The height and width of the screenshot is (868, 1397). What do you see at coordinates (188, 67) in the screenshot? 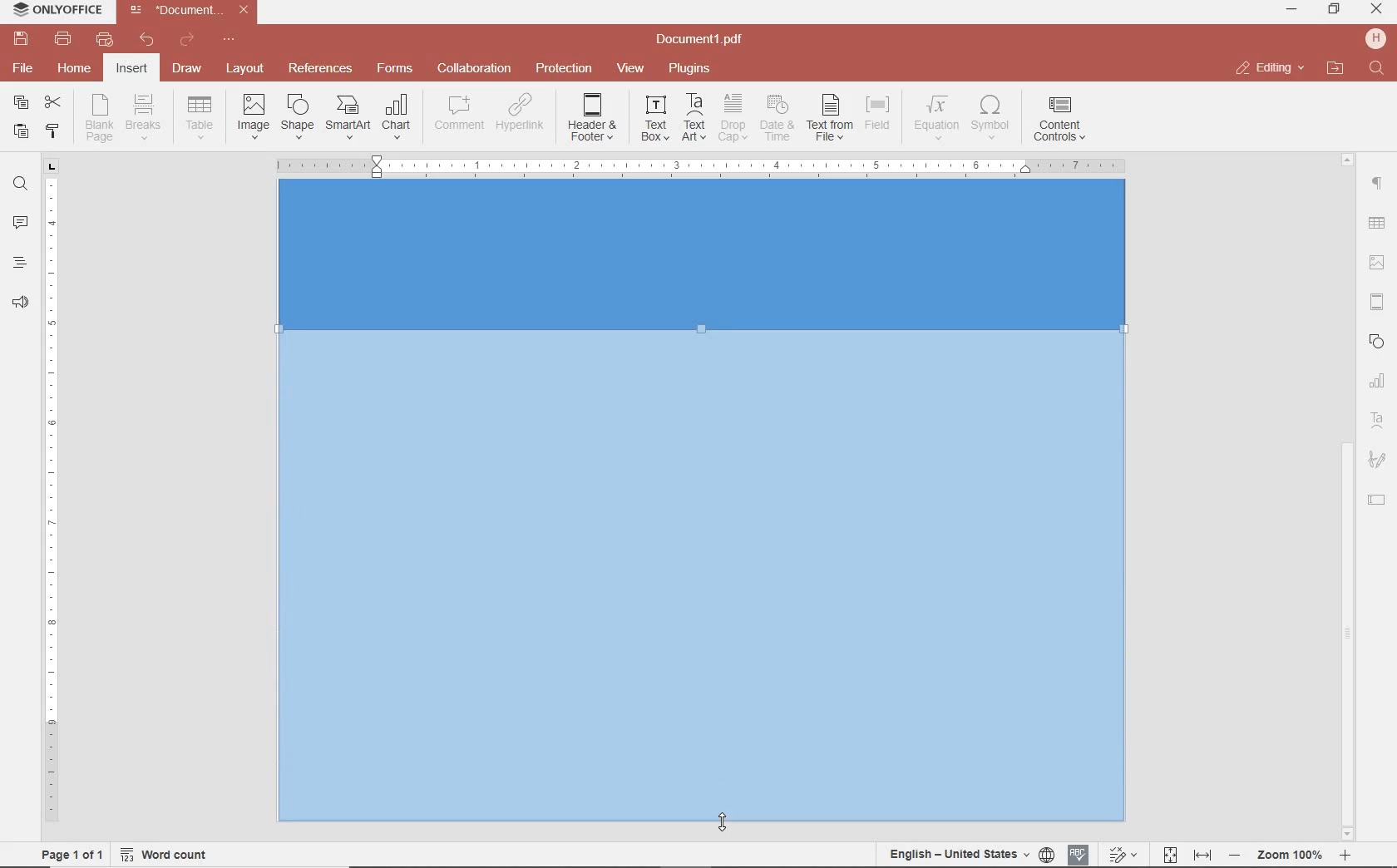
I see `draw` at bounding box center [188, 67].